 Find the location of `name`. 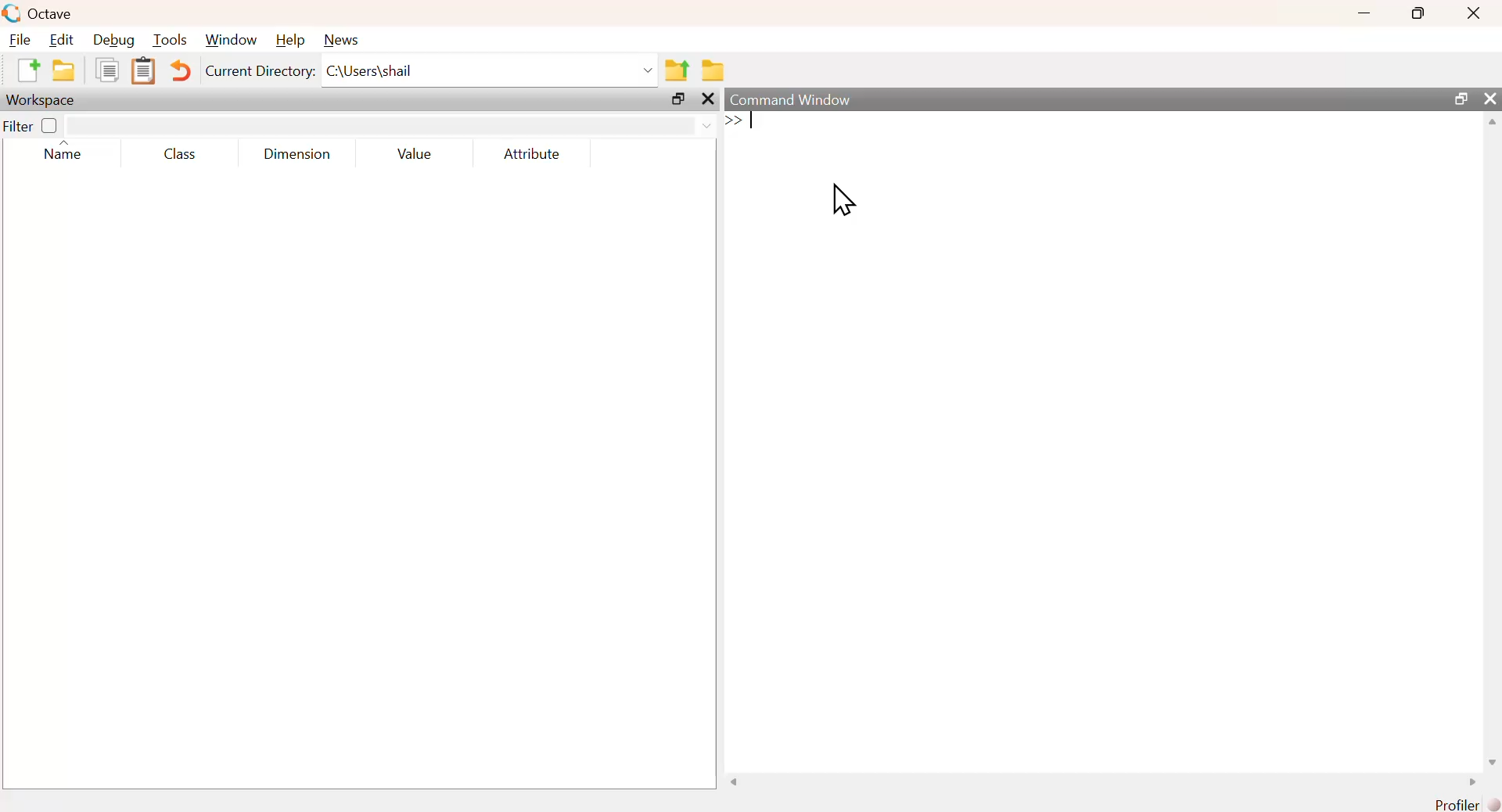

name is located at coordinates (60, 153).